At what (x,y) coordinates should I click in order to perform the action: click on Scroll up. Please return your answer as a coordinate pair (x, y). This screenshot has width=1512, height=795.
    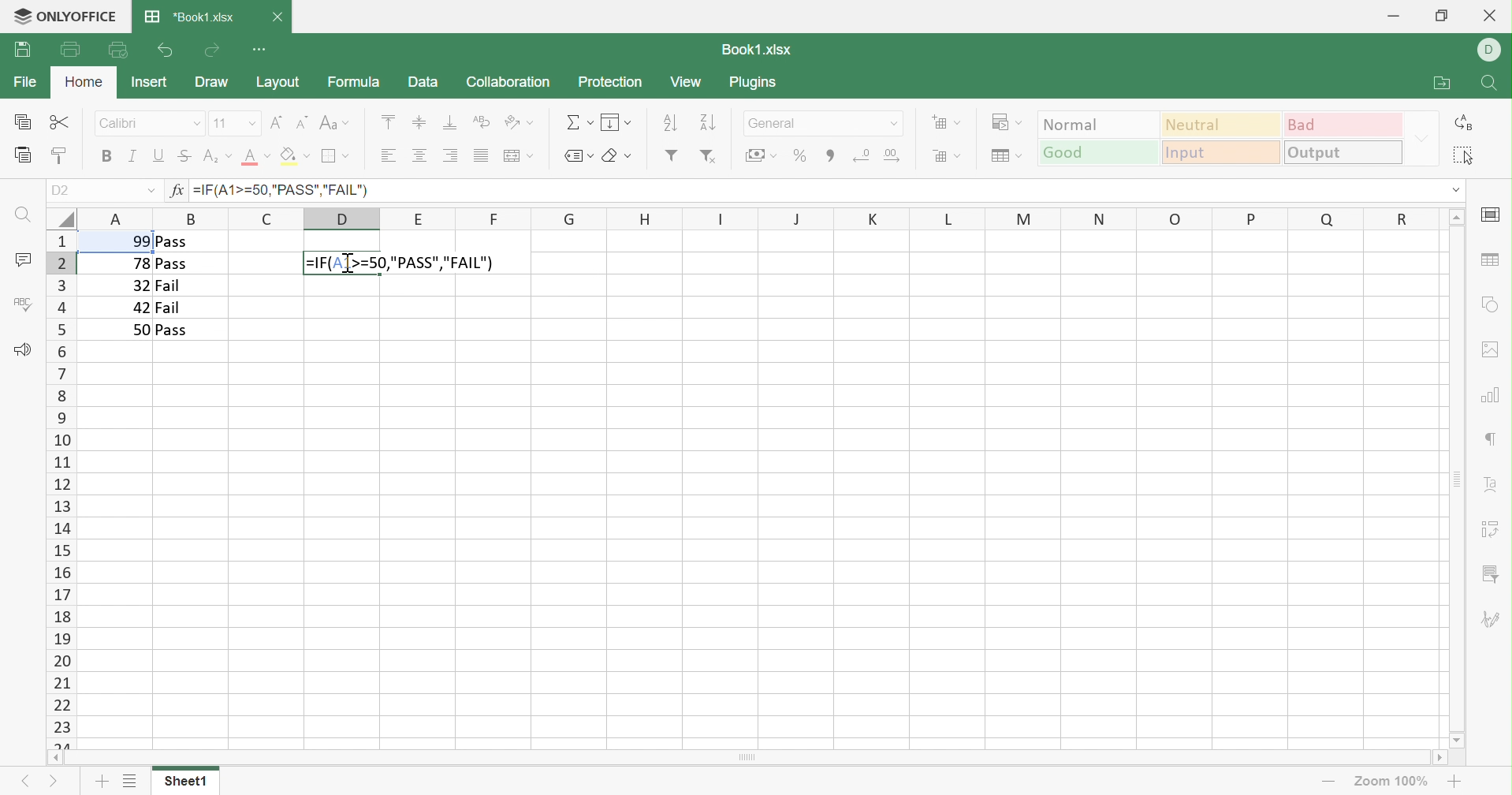
    Looking at the image, I should click on (1458, 215).